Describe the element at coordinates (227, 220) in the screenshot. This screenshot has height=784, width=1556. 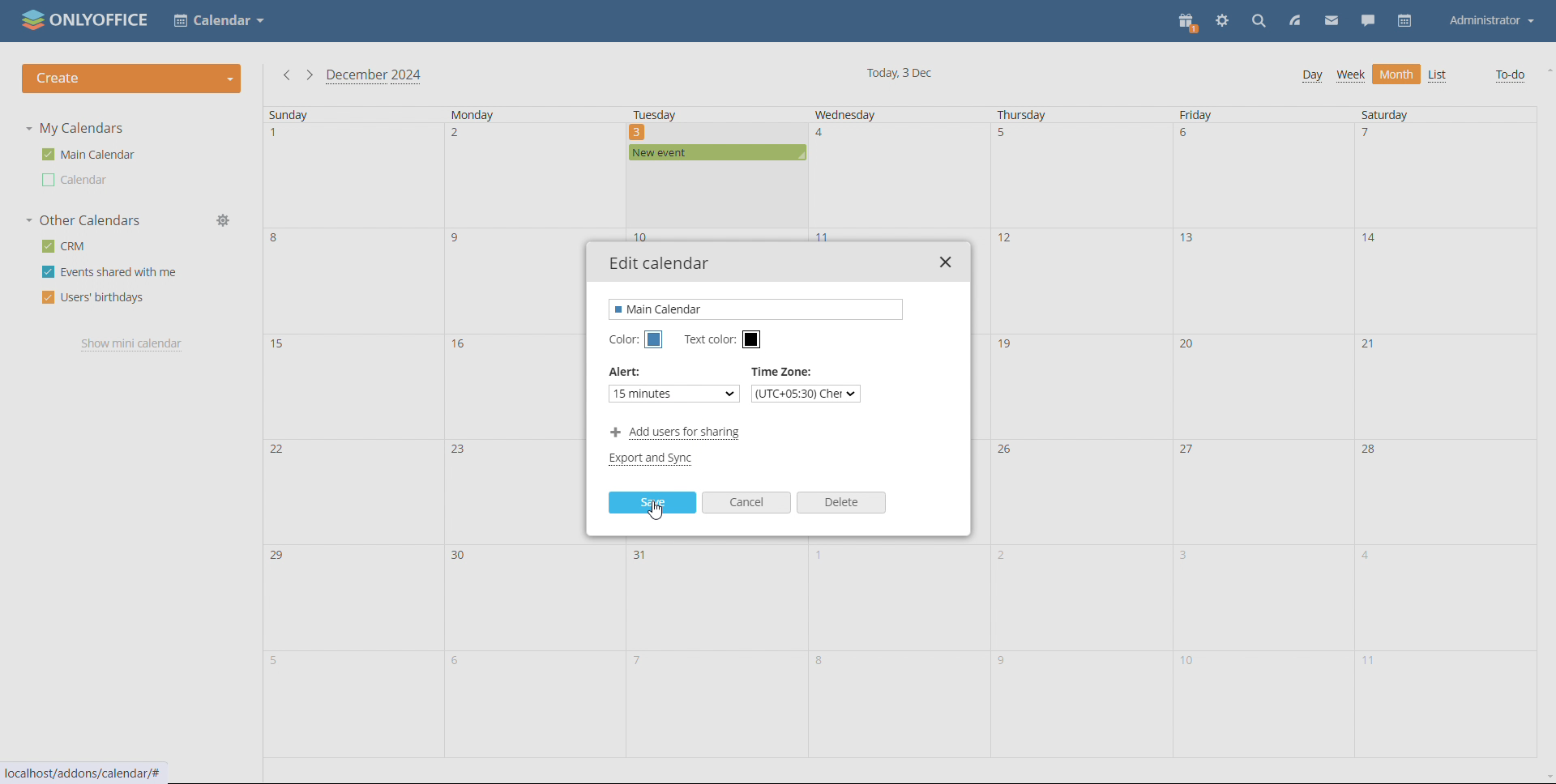
I see `manage` at that location.